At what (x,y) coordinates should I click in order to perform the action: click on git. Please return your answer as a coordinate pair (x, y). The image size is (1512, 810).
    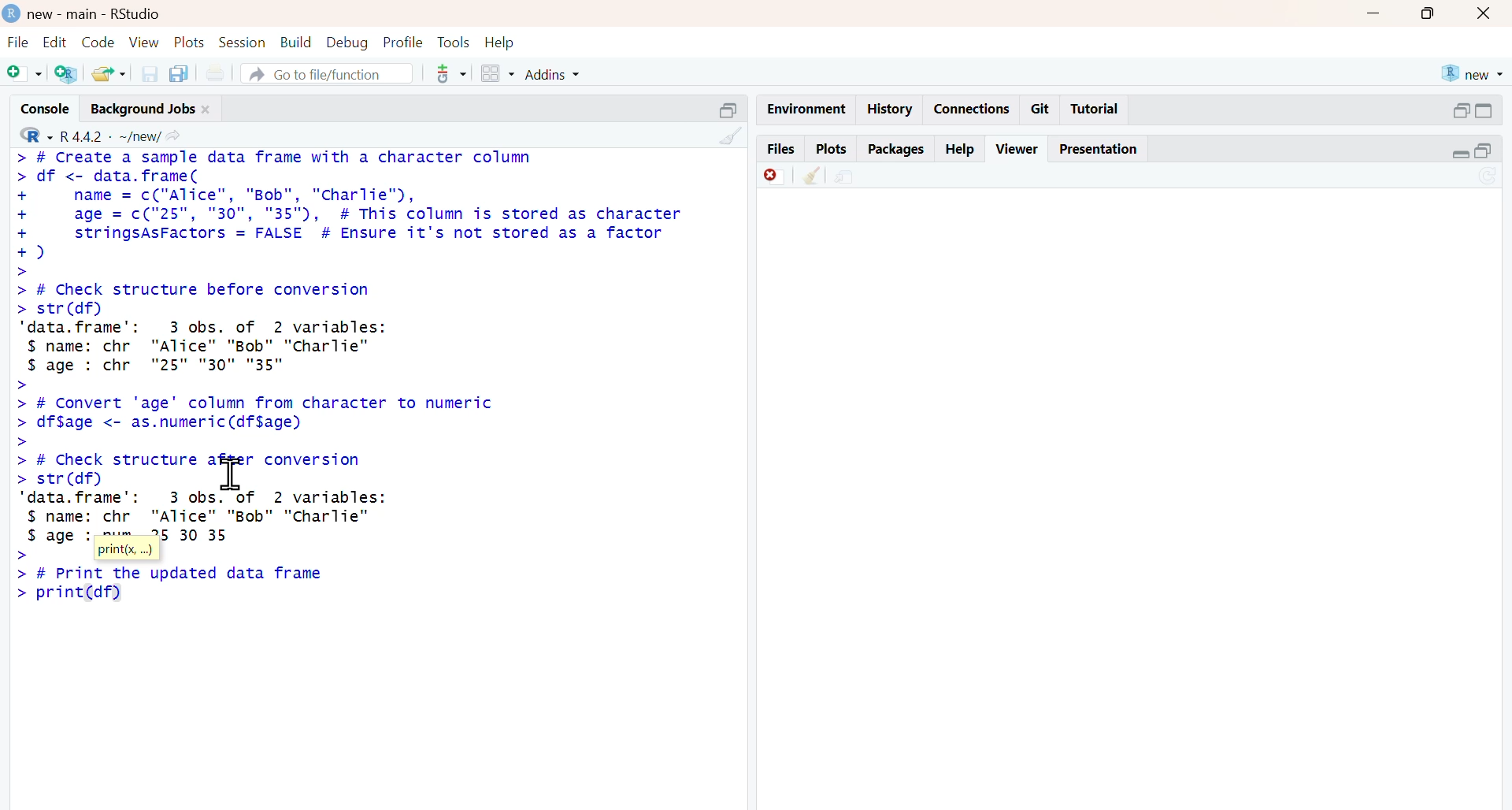
    Looking at the image, I should click on (1039, 109).